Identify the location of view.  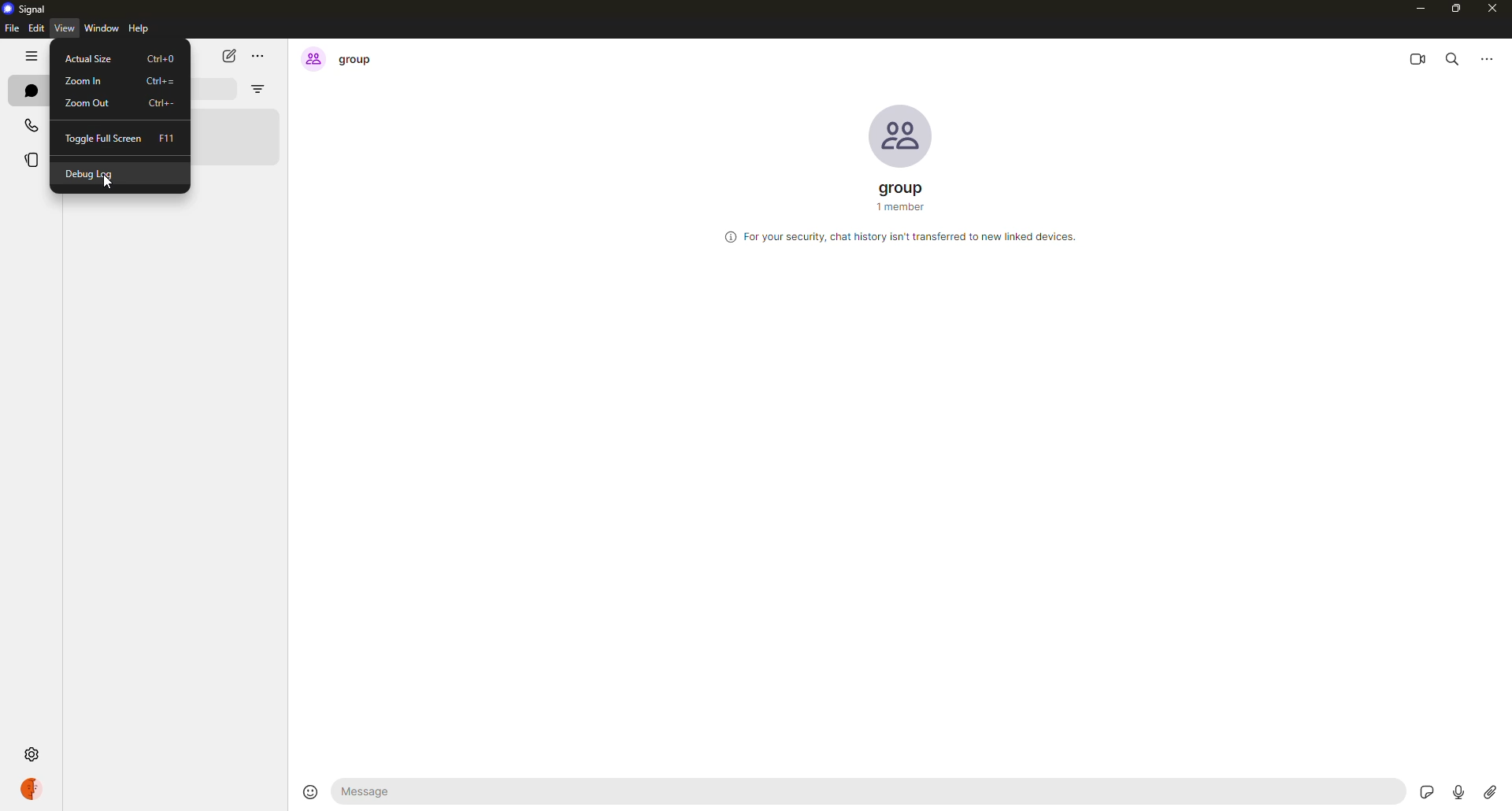
(62, 28).